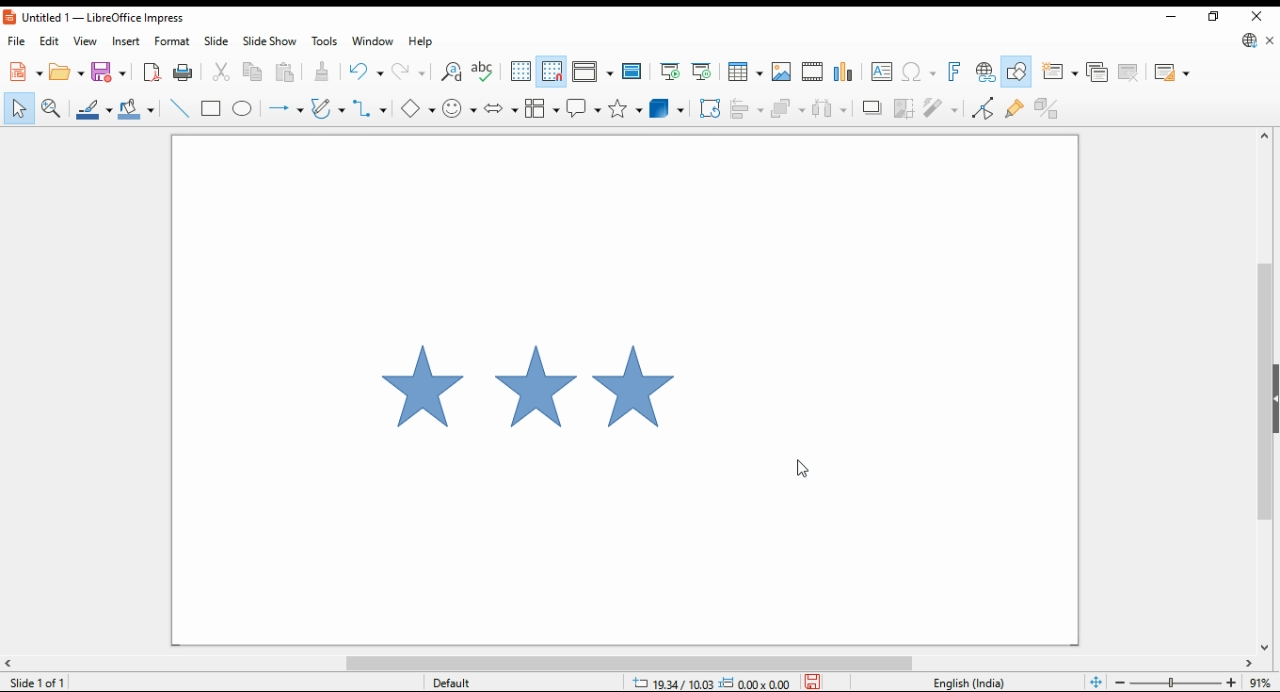 The image size is (1280, 692). I want to click on show gluepoint functions, so click(1016, 107).